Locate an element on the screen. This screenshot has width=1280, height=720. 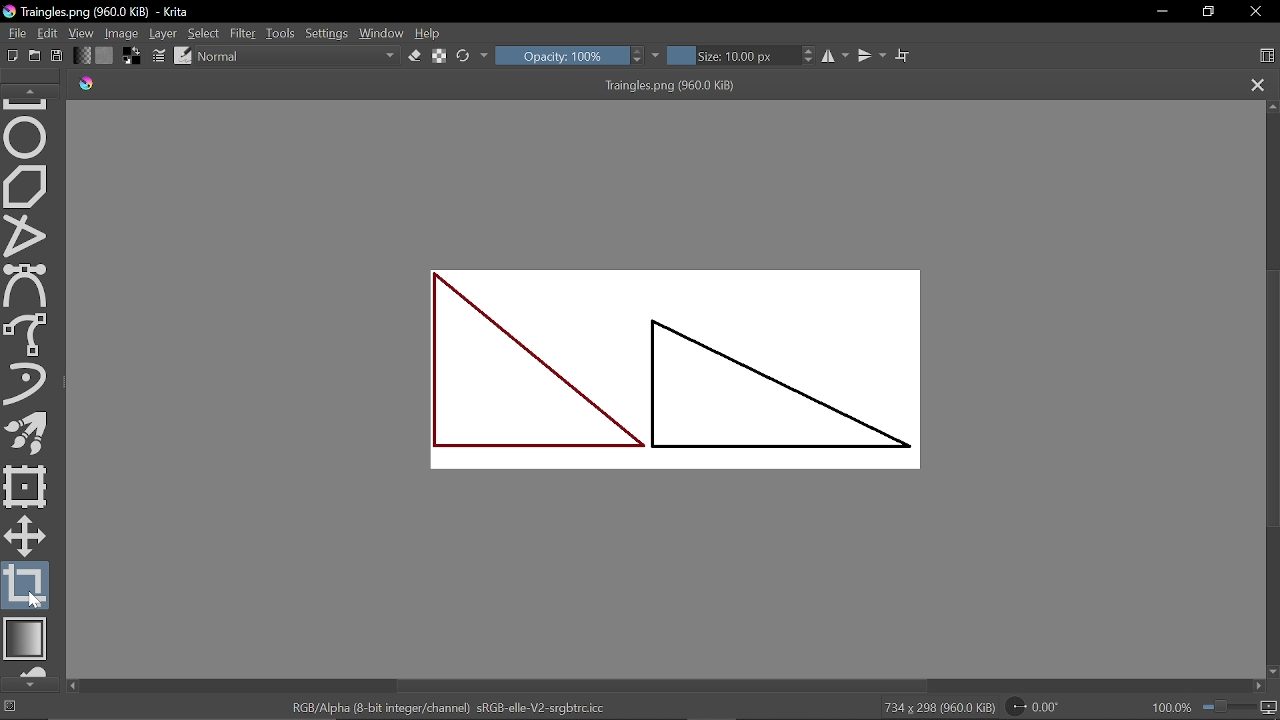
Crop tool is located at coordinates (26, 586).